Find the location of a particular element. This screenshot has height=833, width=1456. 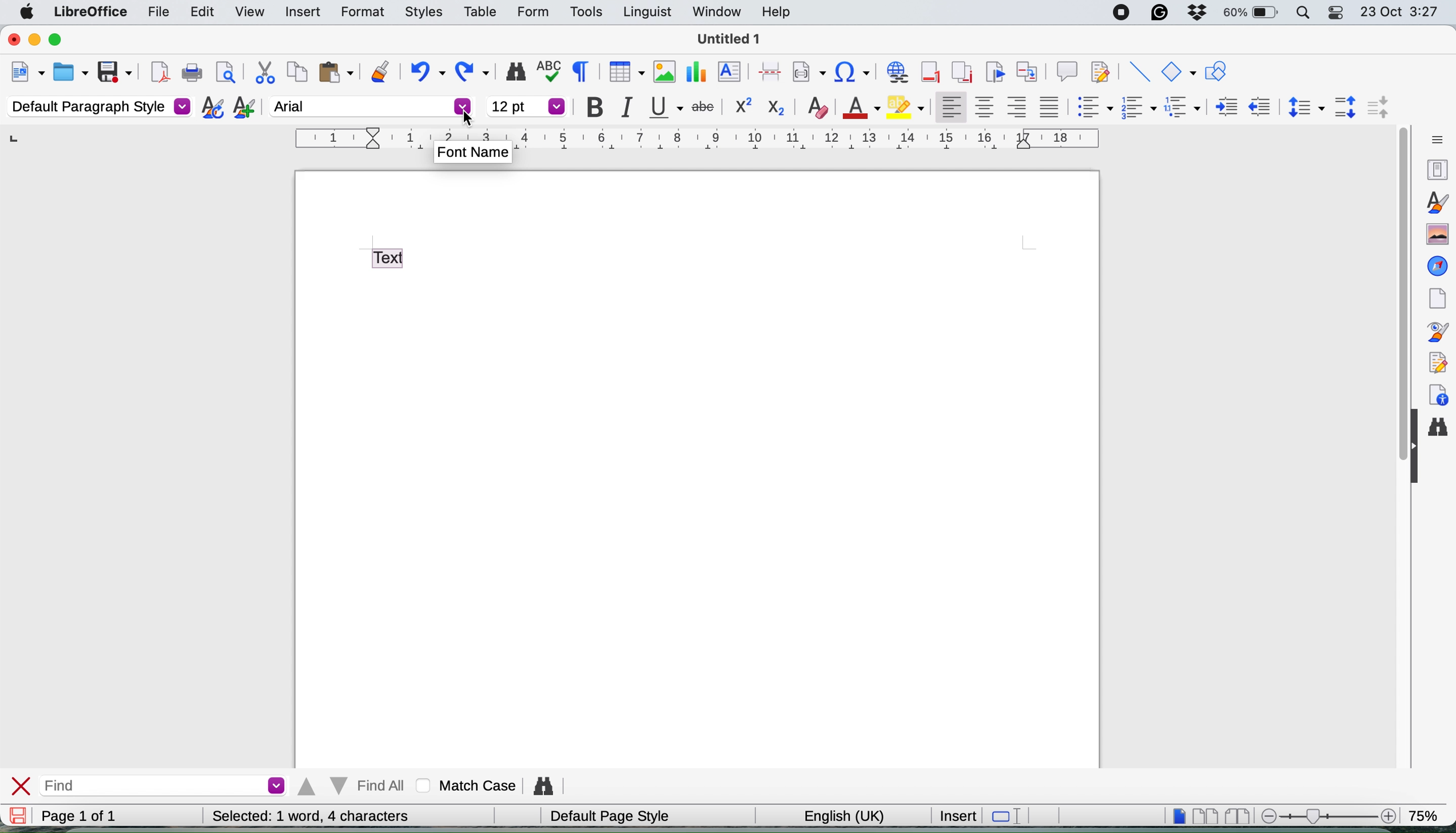

show track change functions is located at coordinates (1103, 73).